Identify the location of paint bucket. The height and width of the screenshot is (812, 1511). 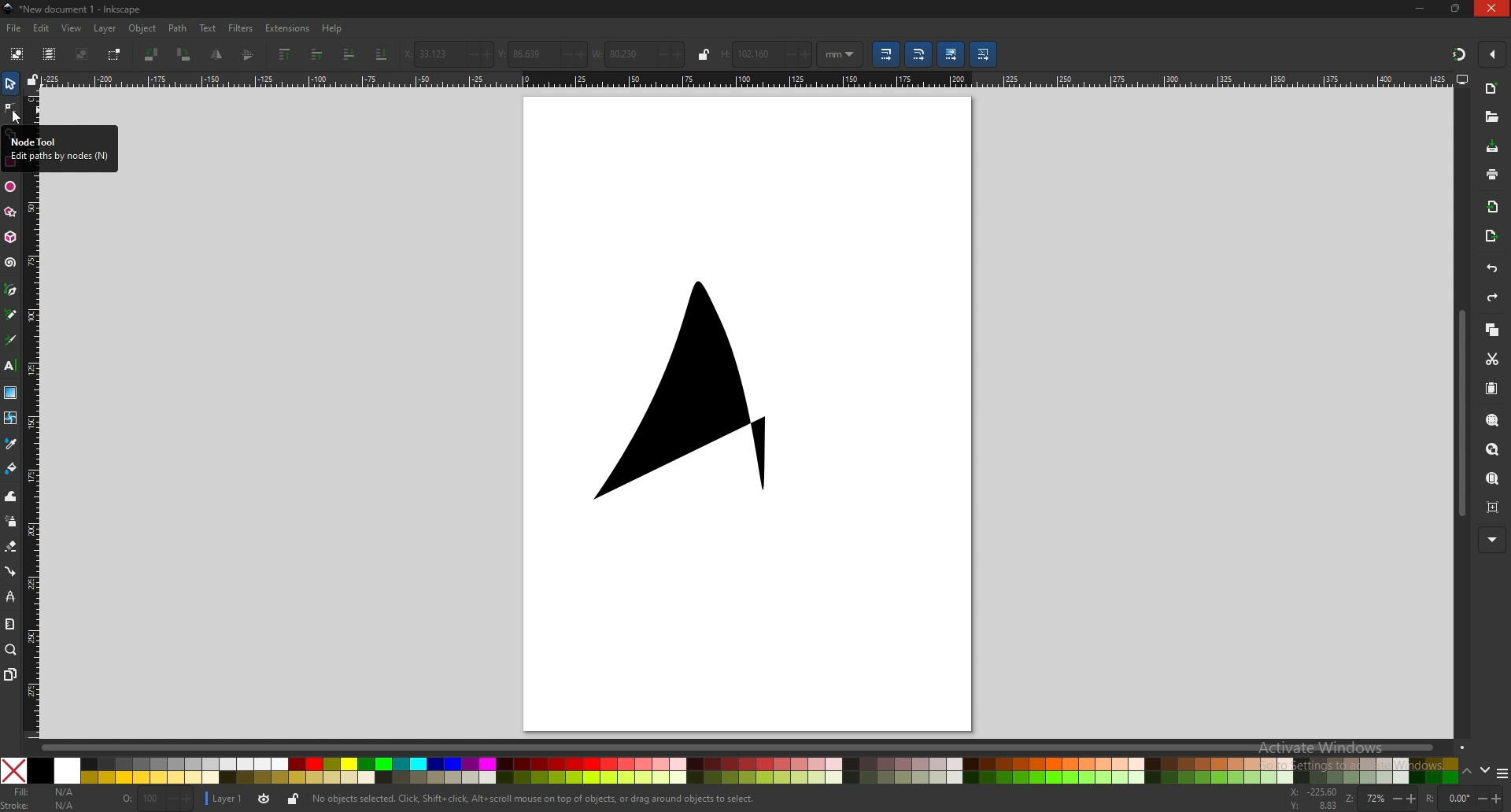
(10, 469).